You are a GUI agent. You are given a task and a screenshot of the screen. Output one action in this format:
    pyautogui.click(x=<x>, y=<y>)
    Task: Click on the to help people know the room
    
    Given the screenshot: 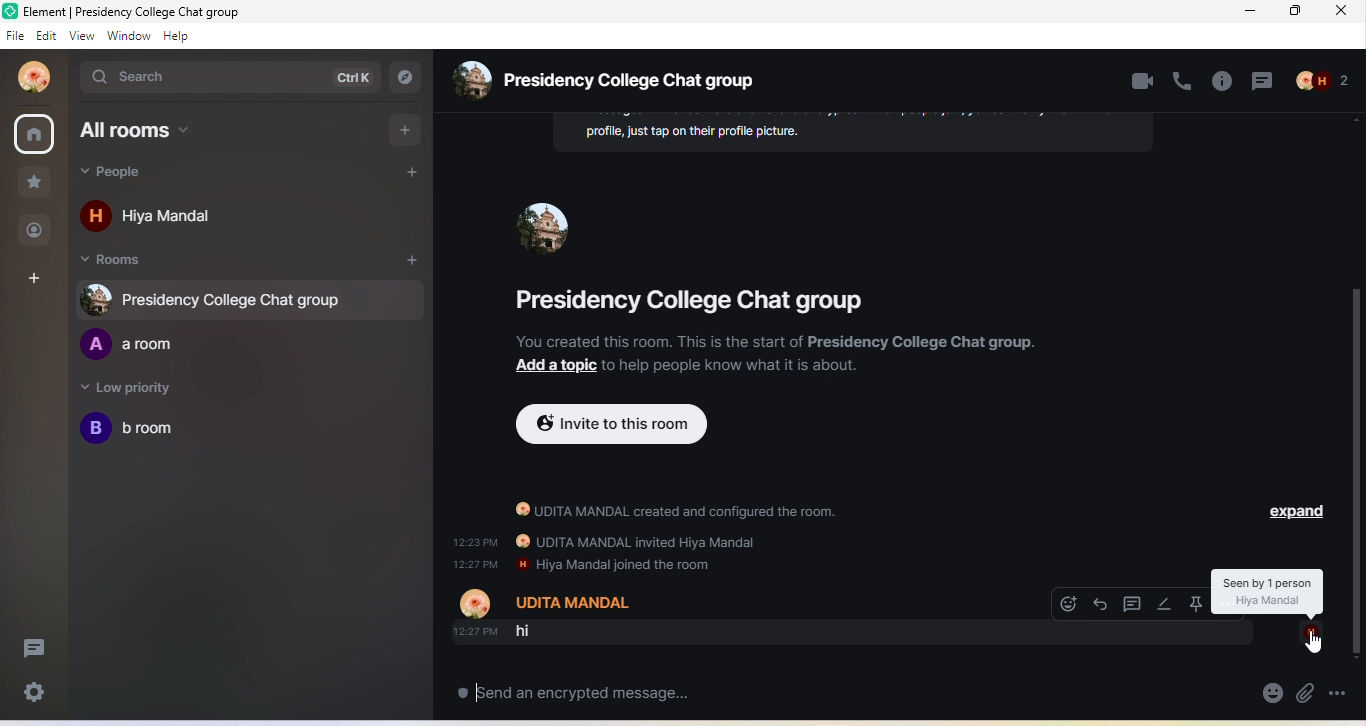 What is the action you would take?
    pyautogui.click(x=727, y=366)
    